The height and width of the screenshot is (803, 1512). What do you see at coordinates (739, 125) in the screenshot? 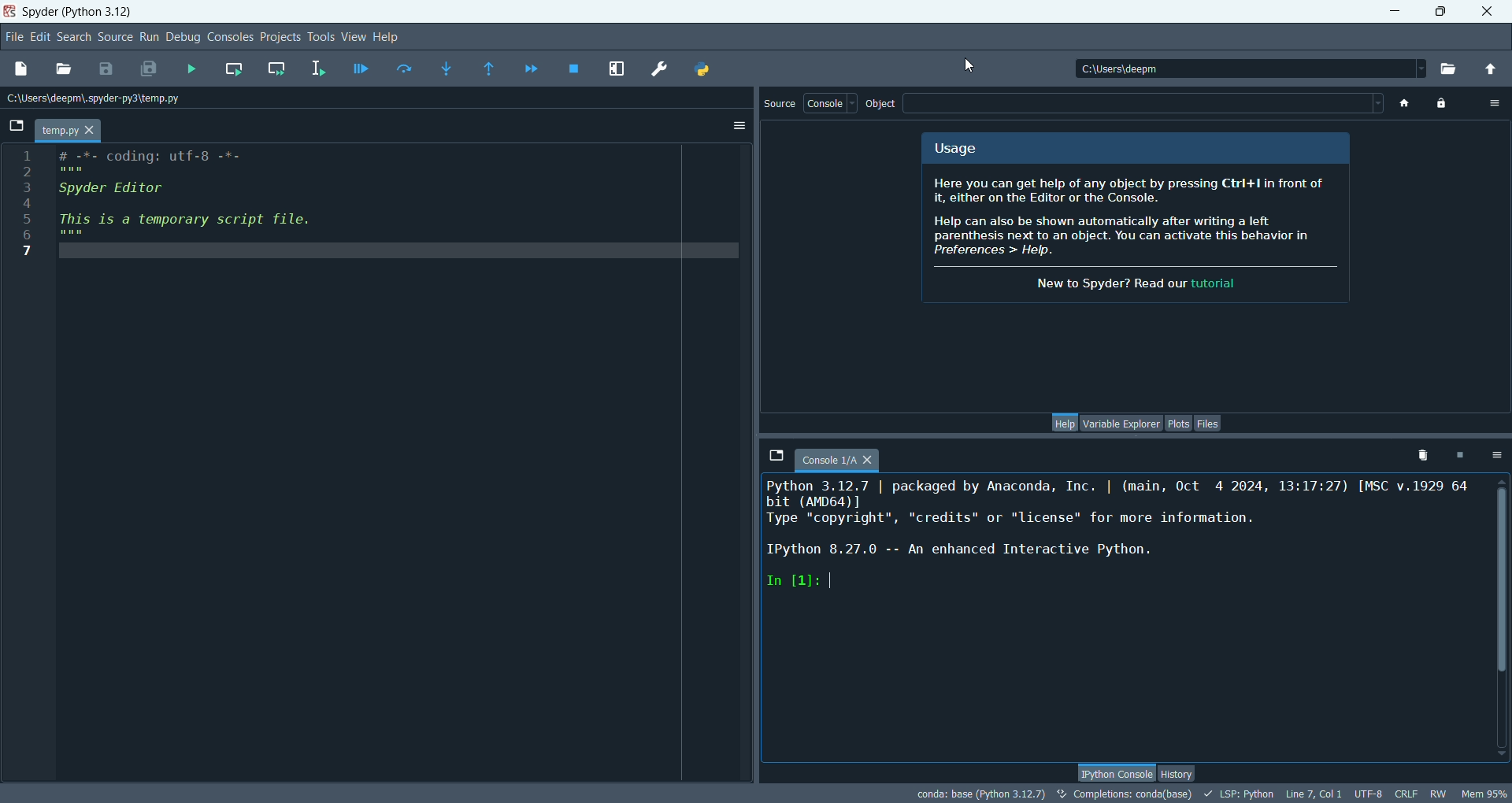
I see `options` at bounding box center [739, 125].